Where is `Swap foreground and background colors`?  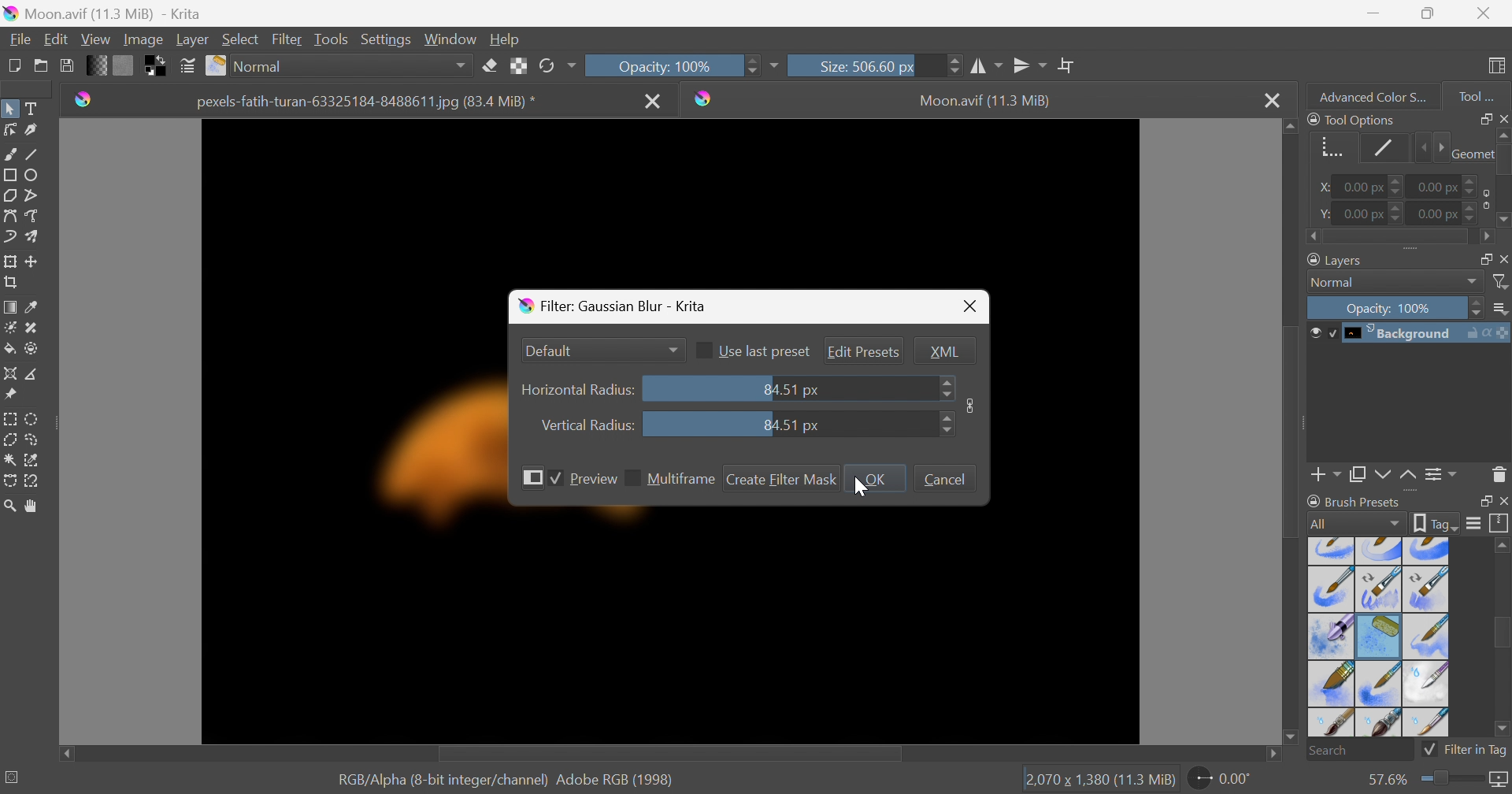 Swap foreground and background colors is located at coordinates (158, 66).